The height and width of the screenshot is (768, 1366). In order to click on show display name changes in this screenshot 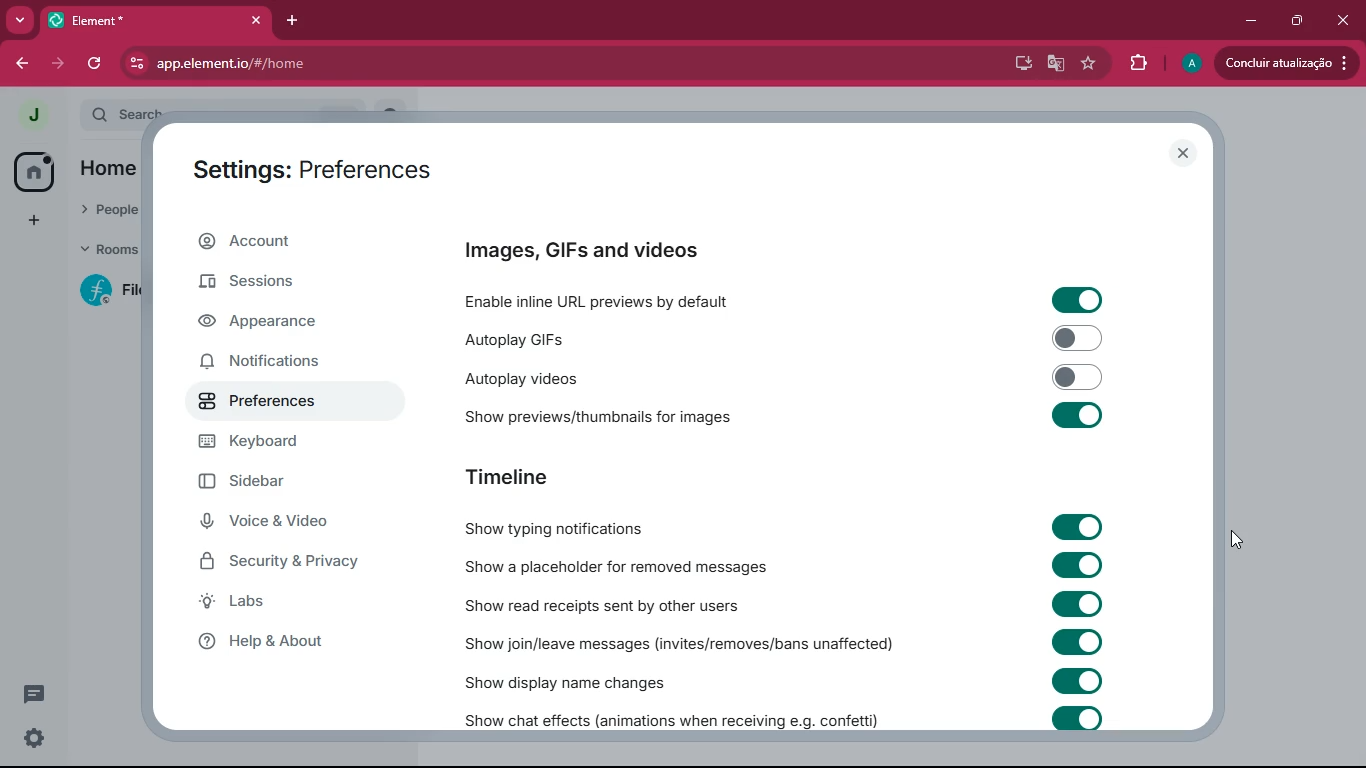, I will do `click(583, 683)`.